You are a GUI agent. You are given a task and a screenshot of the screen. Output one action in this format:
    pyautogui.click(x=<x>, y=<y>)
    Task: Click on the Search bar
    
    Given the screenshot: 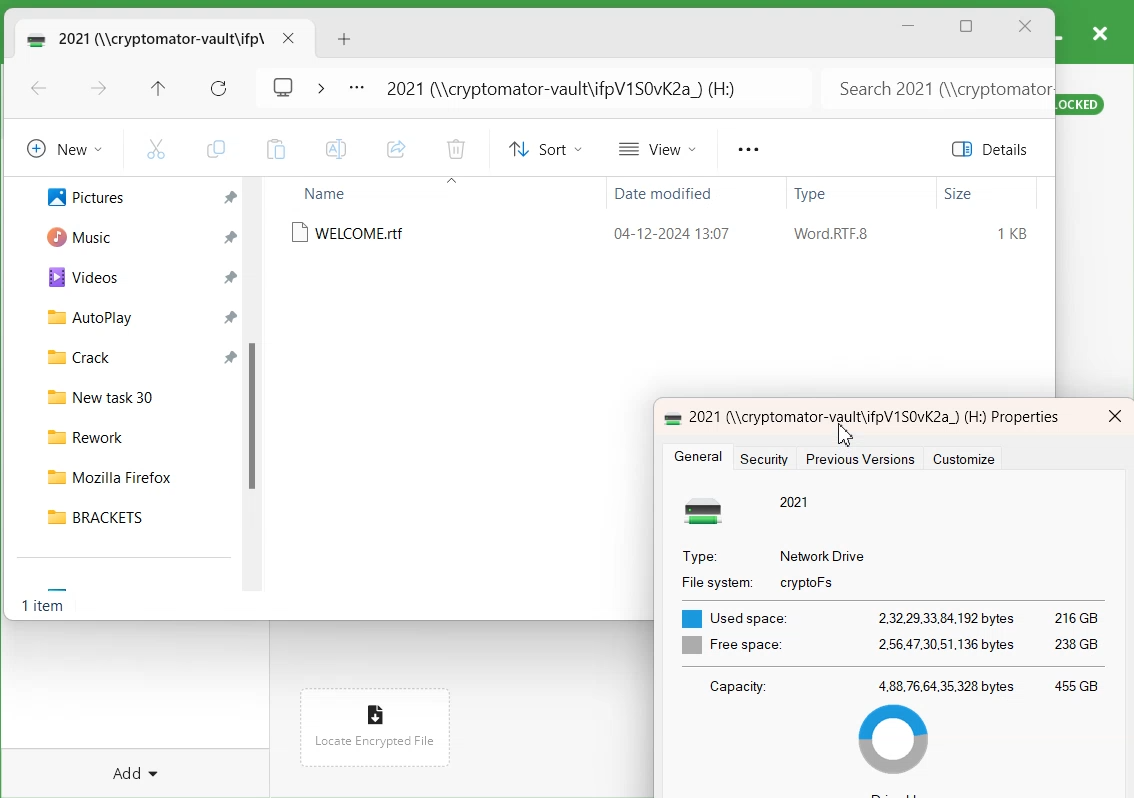 What is the action you would take?
    pyautogui.click(x=935, y=88)
    